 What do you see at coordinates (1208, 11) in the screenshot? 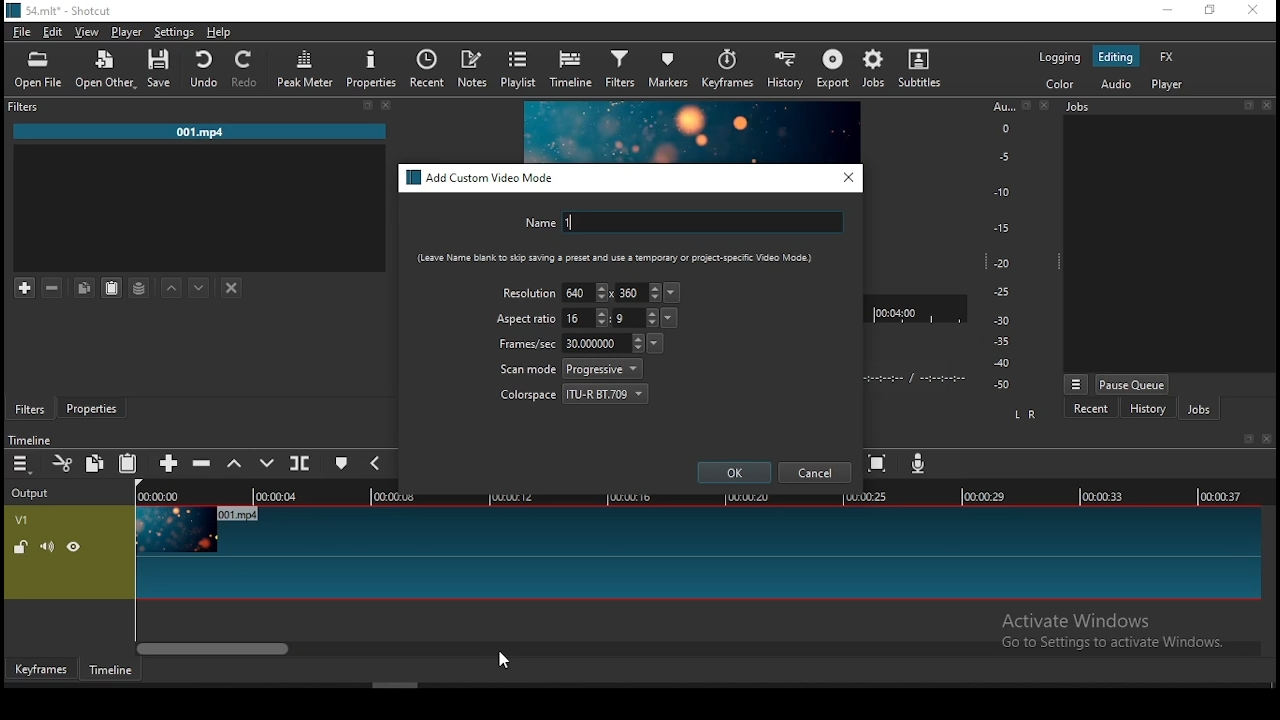
I see `restore` at bounding box center [1208, 11].